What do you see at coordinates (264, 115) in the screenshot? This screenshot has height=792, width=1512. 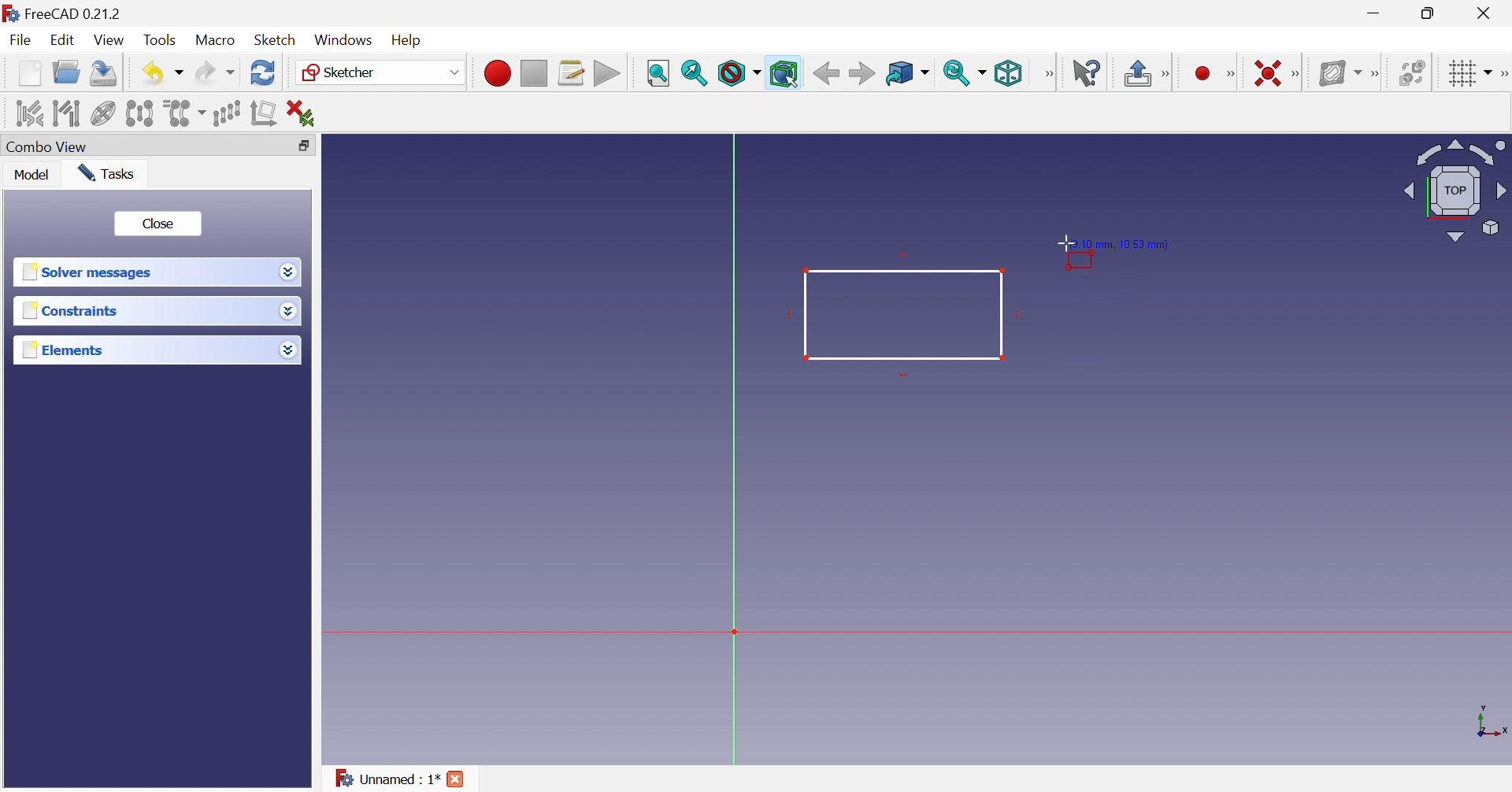 I see `Remove axes alignment` at bounding box center [264, 115].